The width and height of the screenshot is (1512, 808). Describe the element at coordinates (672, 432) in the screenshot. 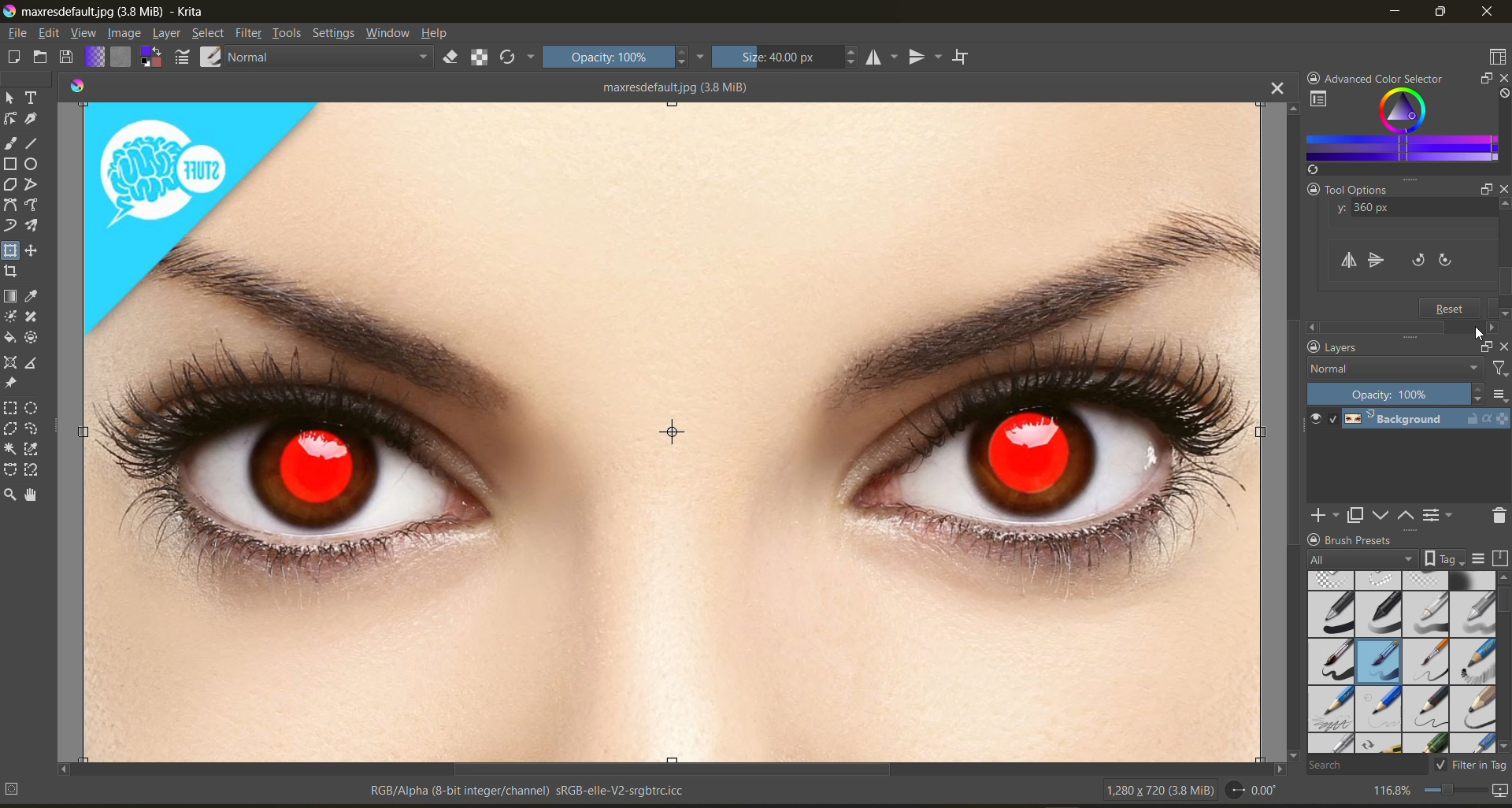

I see `horizontally flipped canvas` at that location.